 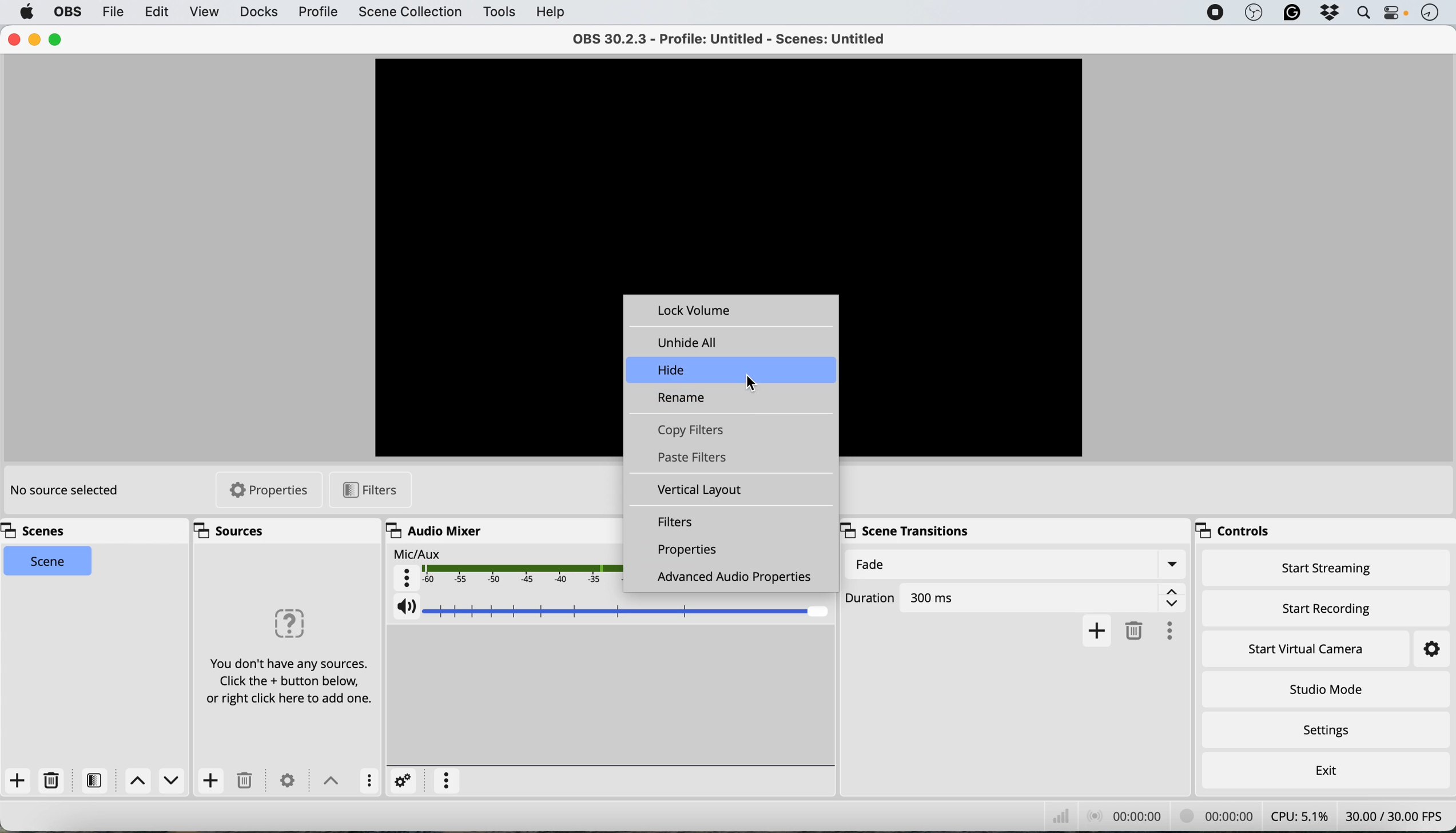 What do you see at coordinates (51, 779) in the screenshot?
I see `delete source` at bounding box center [51, 779].